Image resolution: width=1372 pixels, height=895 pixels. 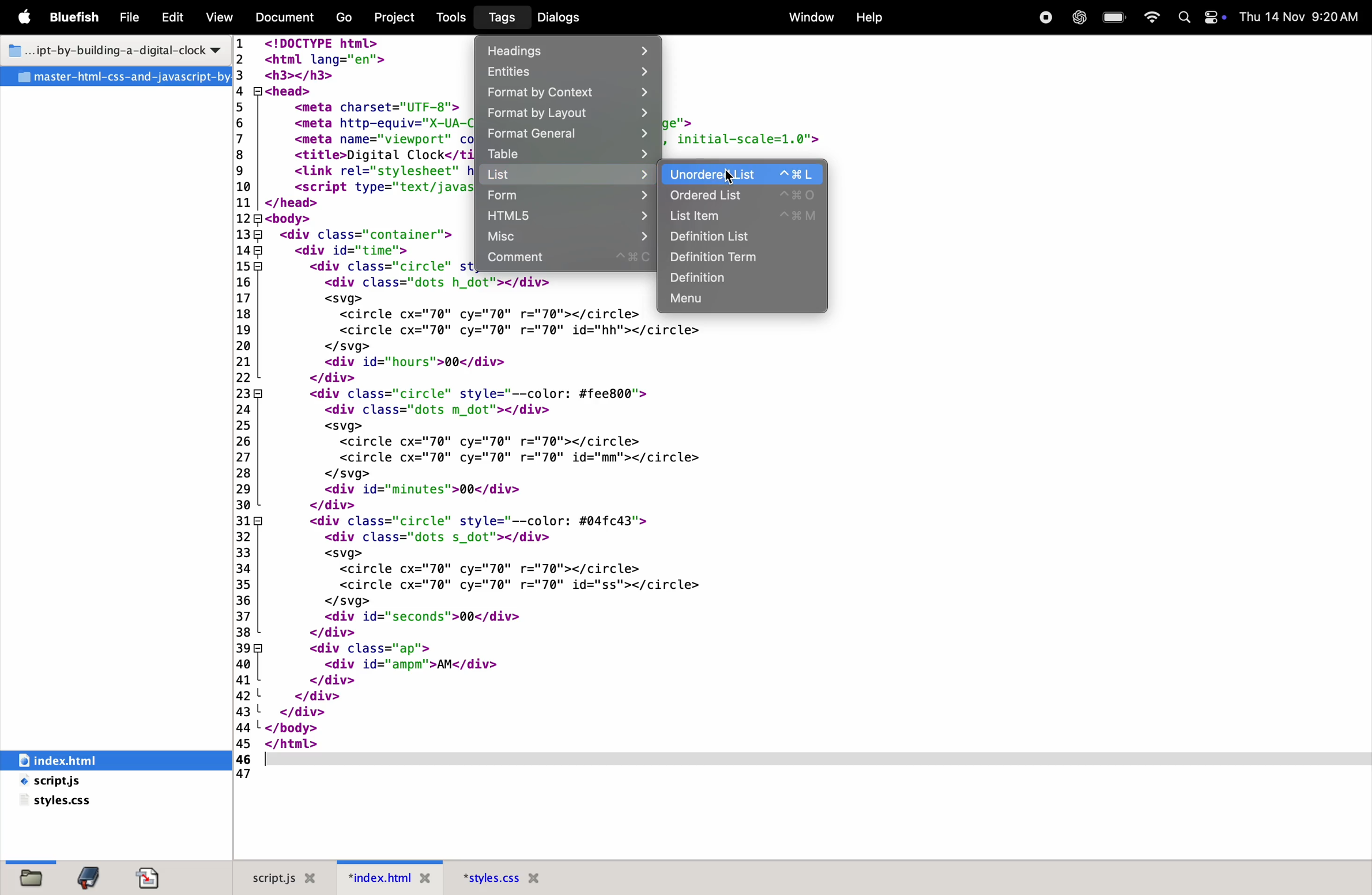 I want to click on Edit, so click(x=172, y=18).